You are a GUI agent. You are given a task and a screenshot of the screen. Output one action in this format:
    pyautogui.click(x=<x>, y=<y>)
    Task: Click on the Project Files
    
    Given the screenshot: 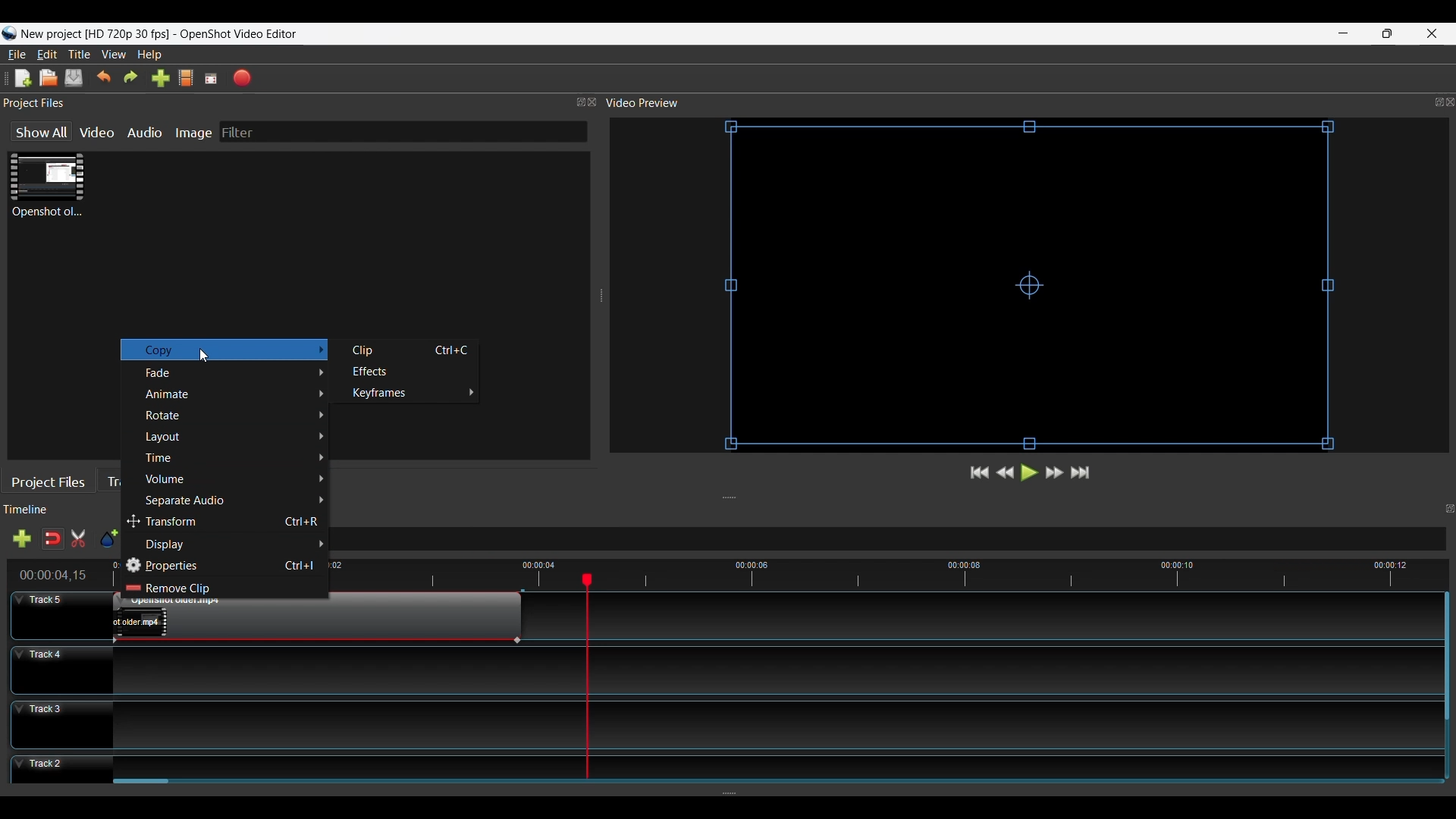 What is the action you would take?
    pyautogui.click(x=52, y=481)
    